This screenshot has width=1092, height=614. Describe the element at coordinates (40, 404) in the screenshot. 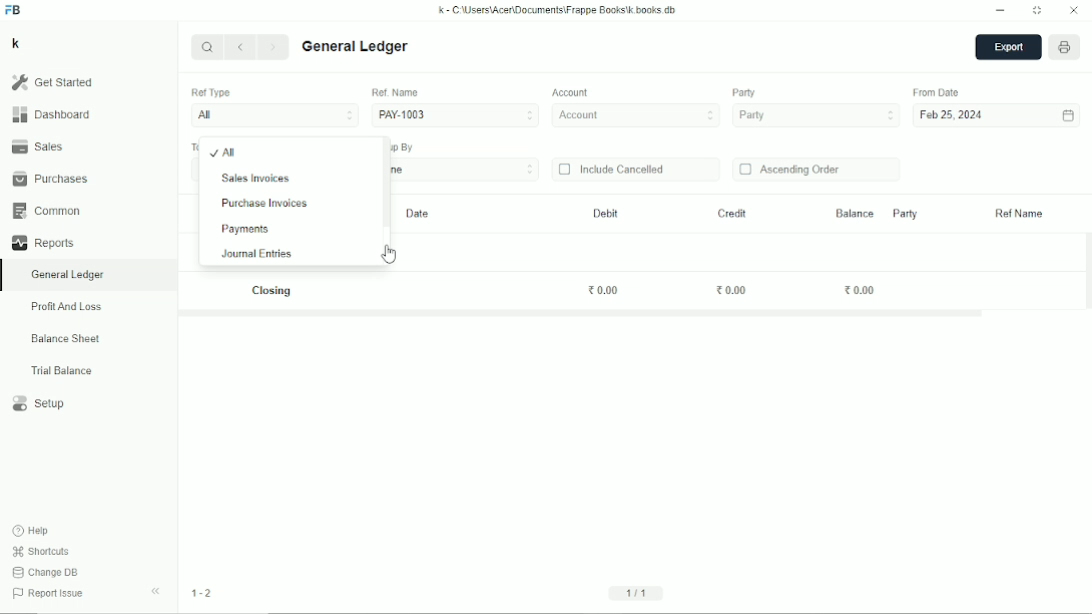

I see `Setup` at that location.